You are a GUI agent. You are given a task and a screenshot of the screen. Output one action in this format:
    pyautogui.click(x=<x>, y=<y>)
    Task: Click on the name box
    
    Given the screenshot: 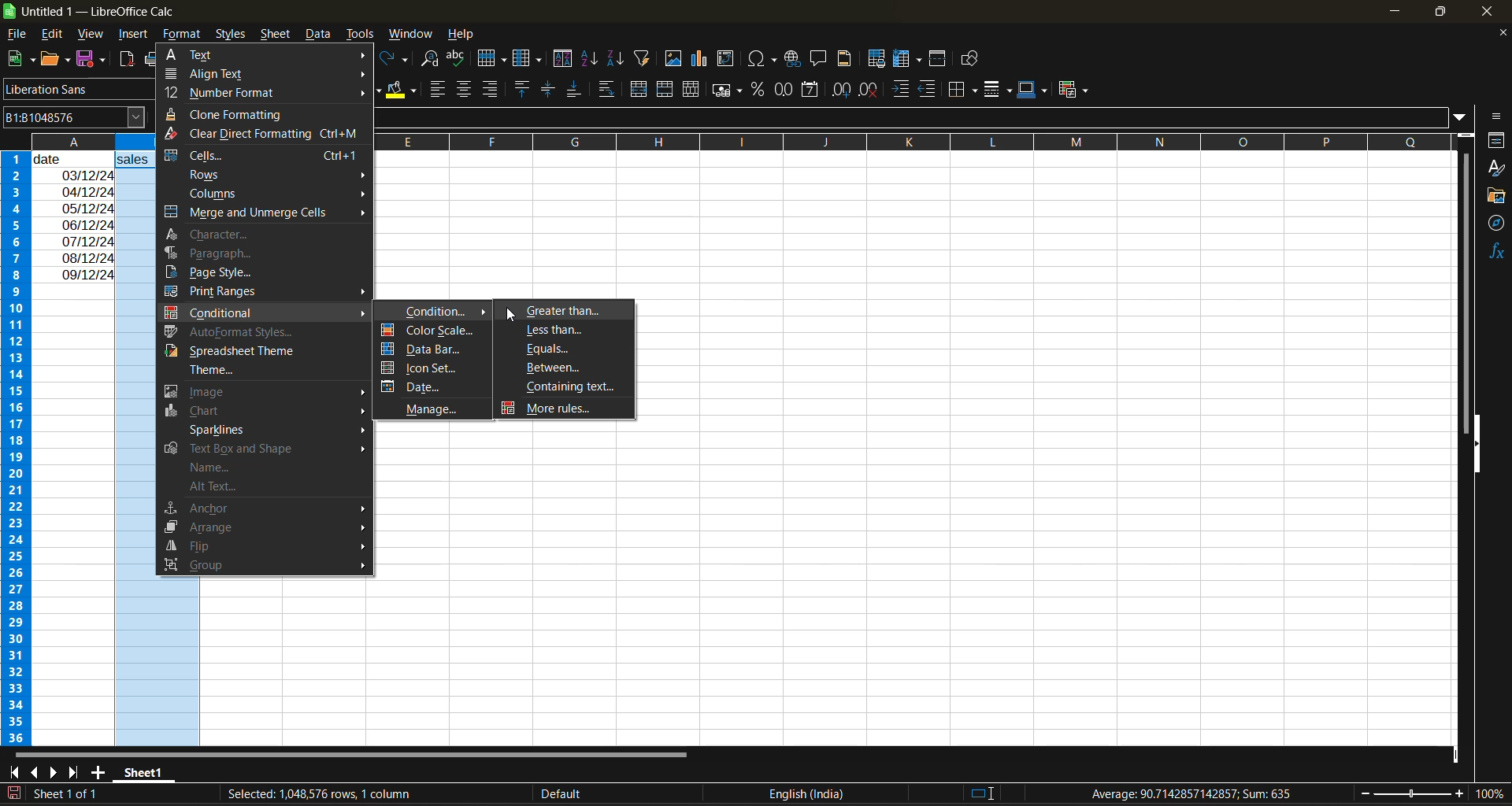 What is the action you would take?
    pyautogui.click(x=71, y=116)
    